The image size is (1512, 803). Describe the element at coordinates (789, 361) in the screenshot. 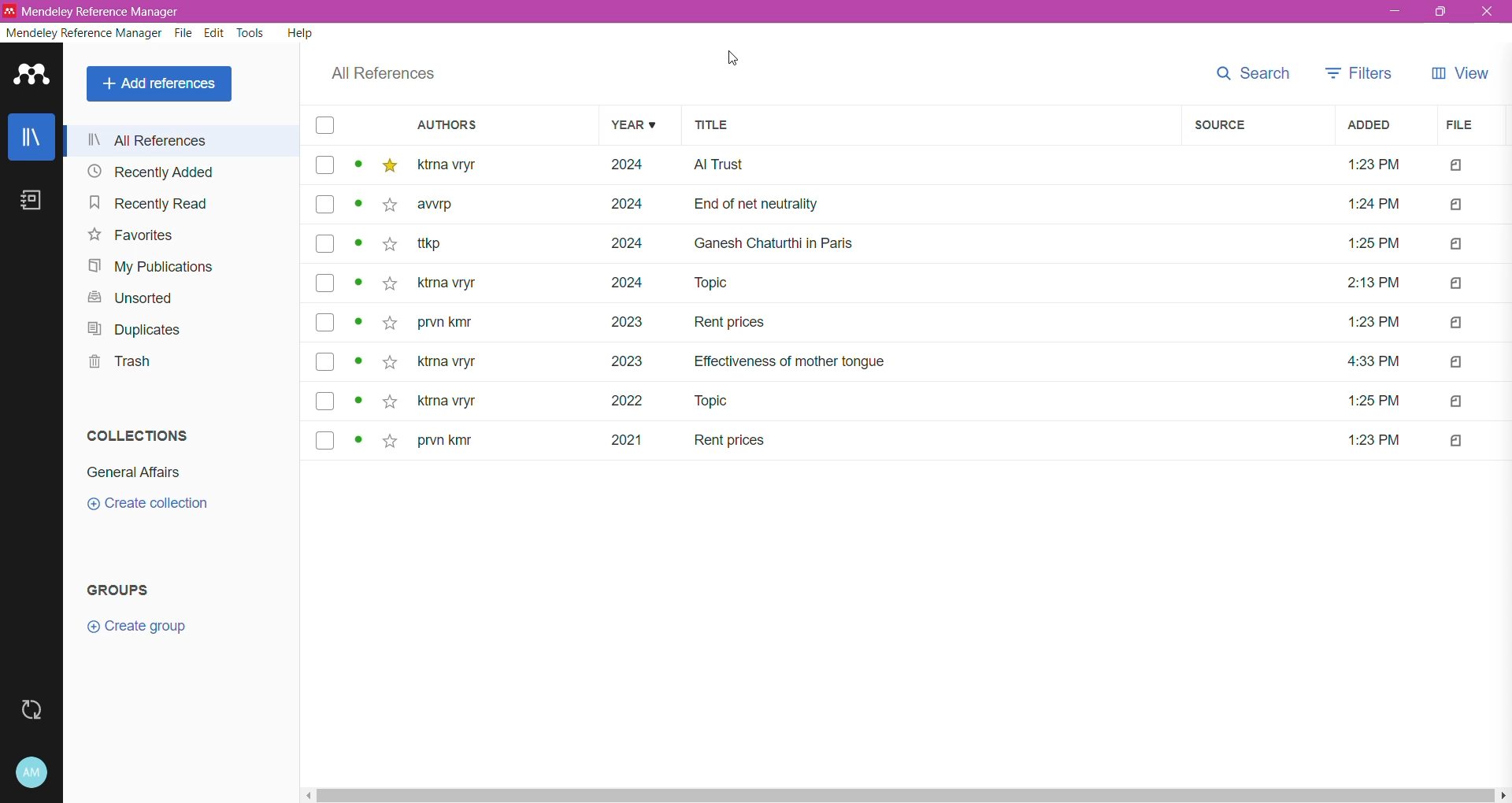

I see `effectiveness of mother tongue` at that location.